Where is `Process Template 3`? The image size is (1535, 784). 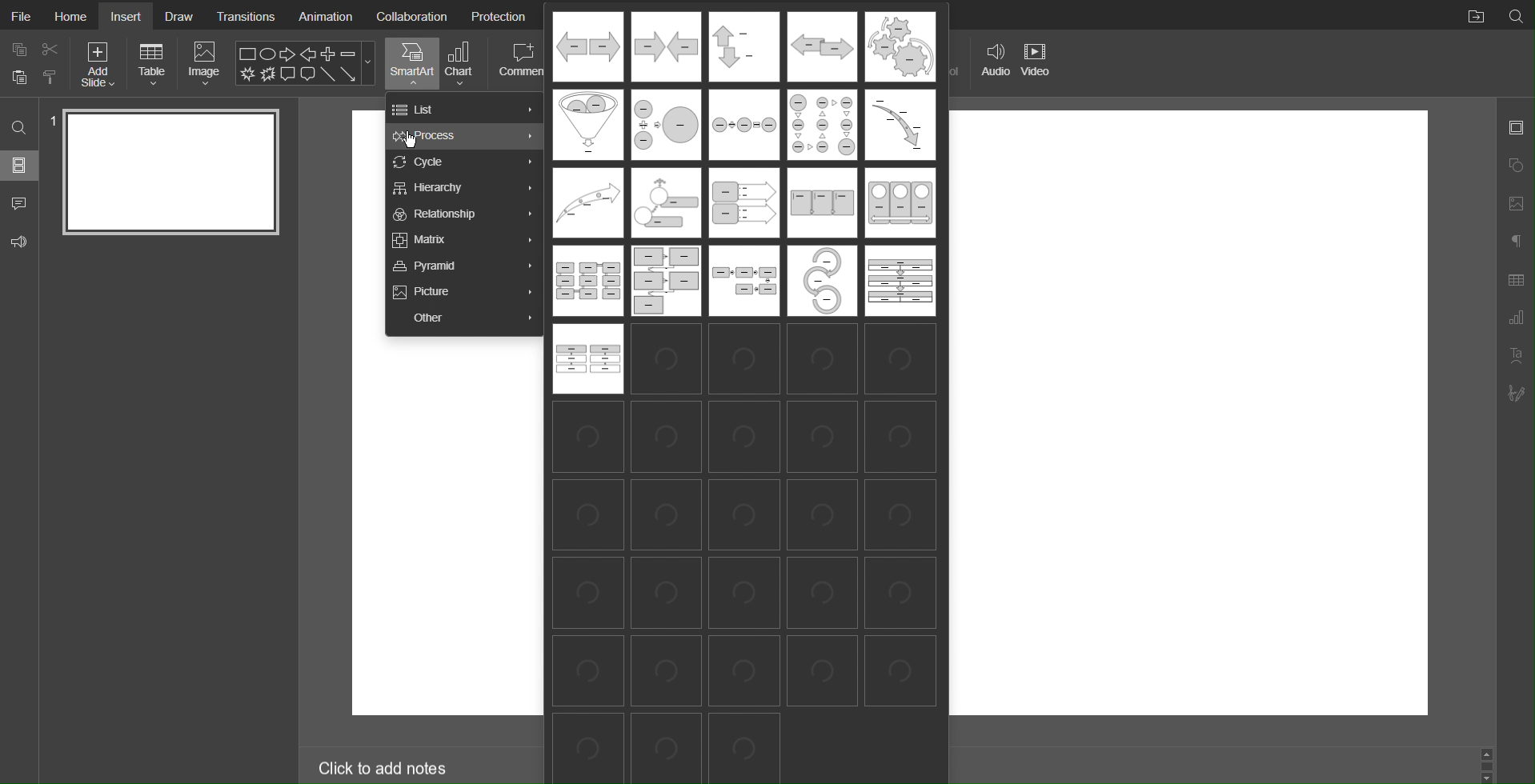
Process Template 3 is located at coordinates (742, 46).